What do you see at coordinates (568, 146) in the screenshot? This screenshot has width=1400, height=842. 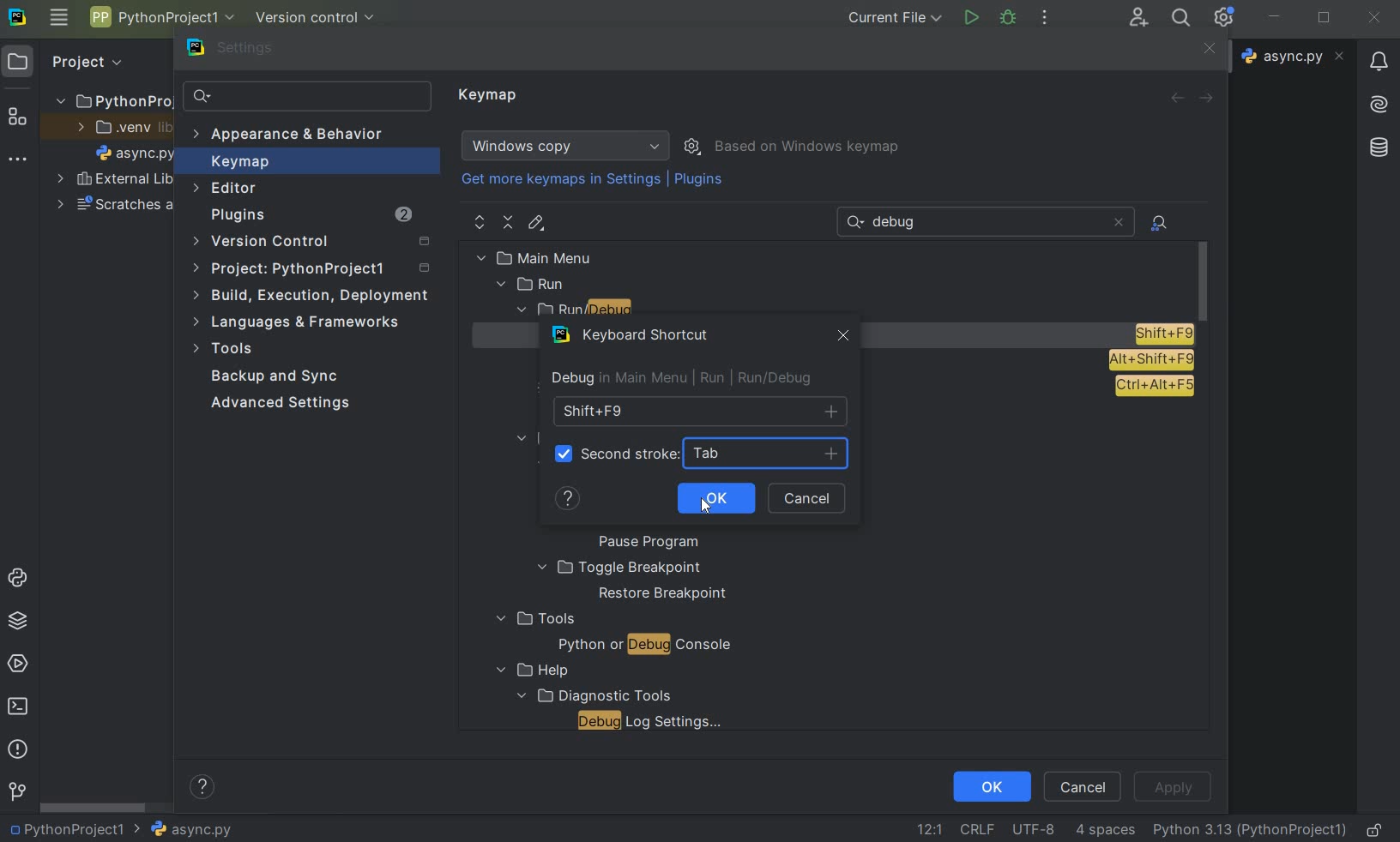 I see `windows copy` at bounding box center [568, 146].